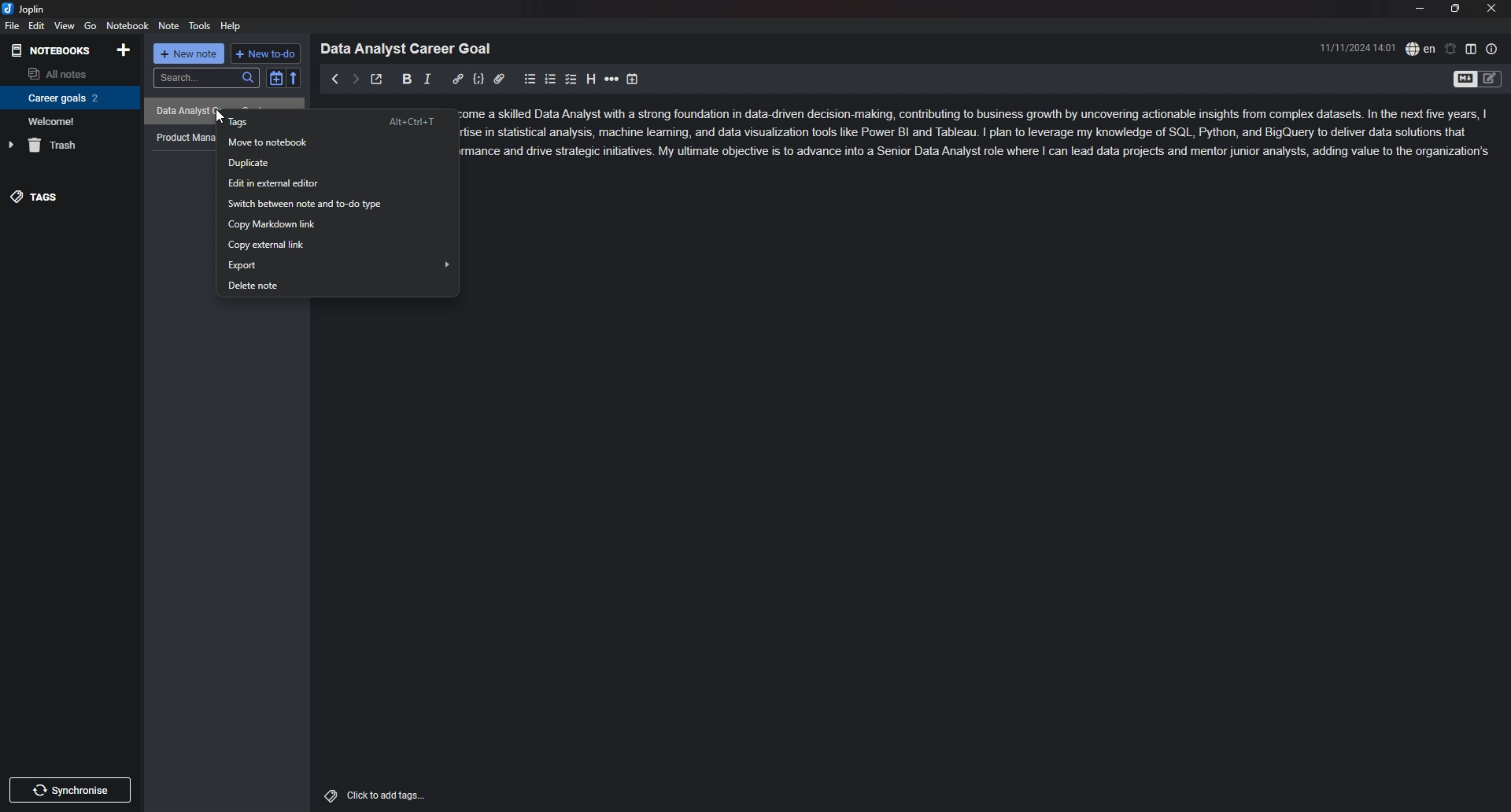 The height and width of the screenshot is (812, 1511). Describe the element at coordinates (378, 79) in the screenshot. I see `toggle external editor` at that location.